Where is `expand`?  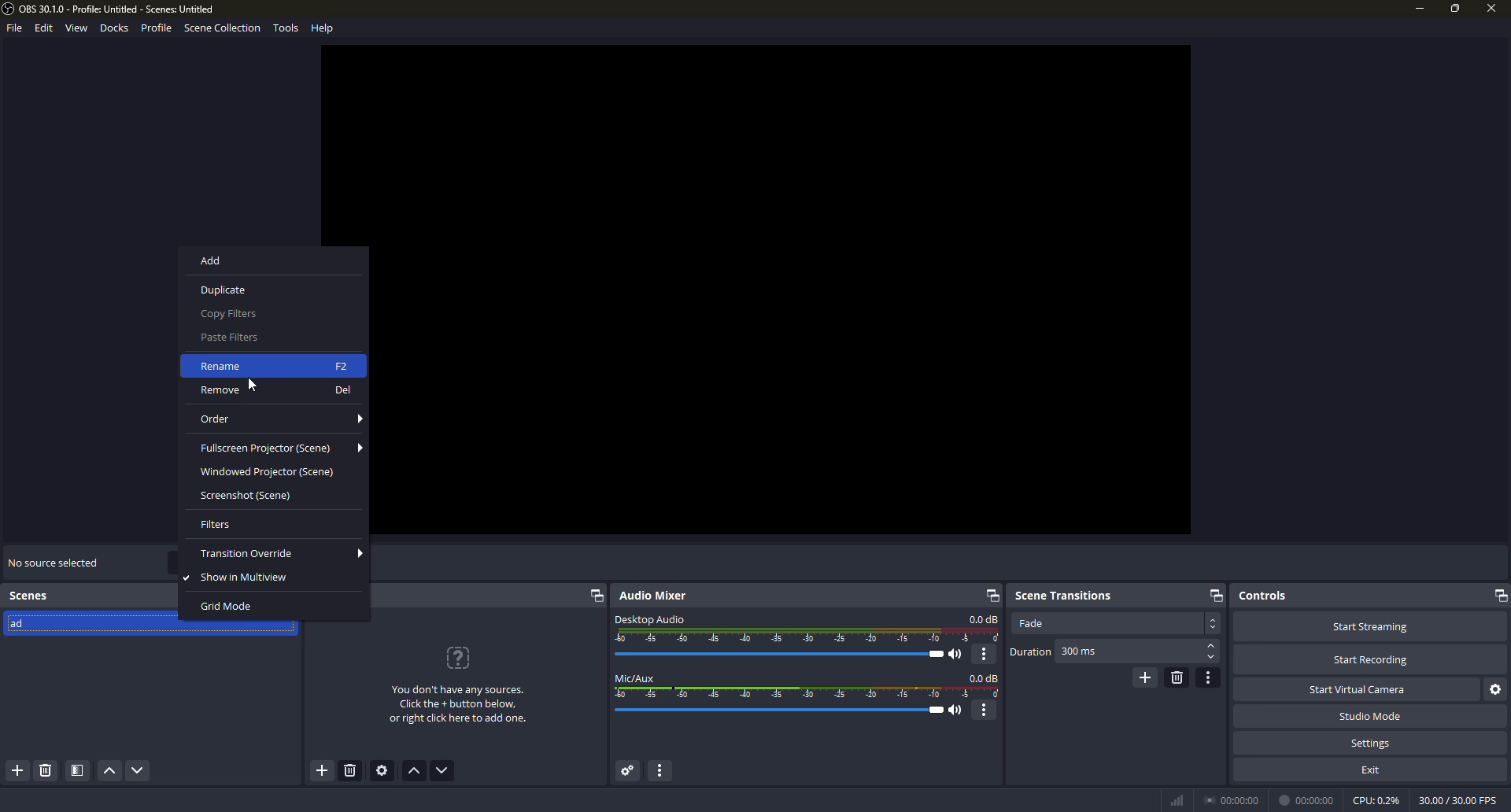
expand is located at coordinates (595, 597).